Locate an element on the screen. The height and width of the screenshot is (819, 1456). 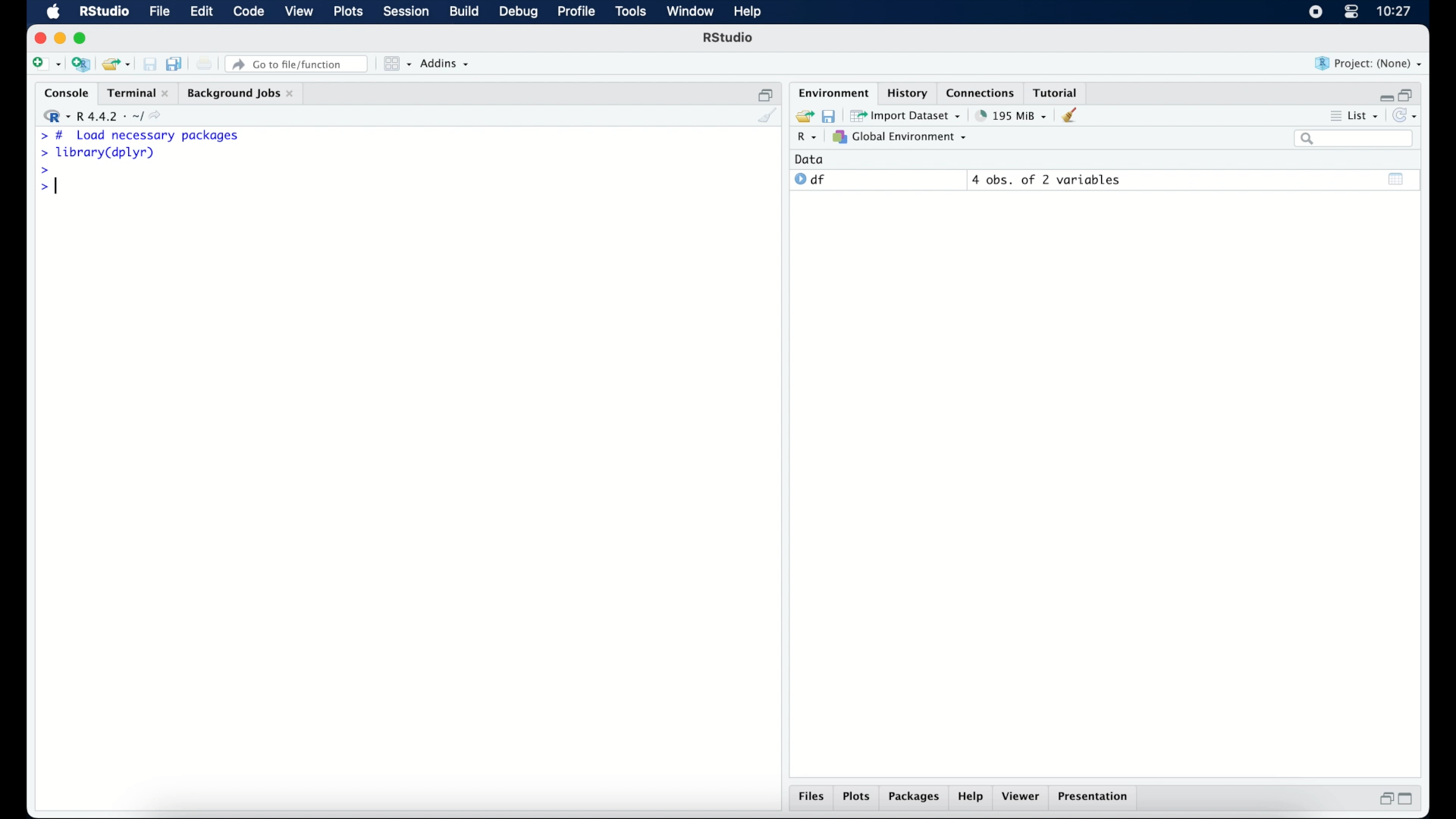
Terminal is located at coordinates (133, 93).